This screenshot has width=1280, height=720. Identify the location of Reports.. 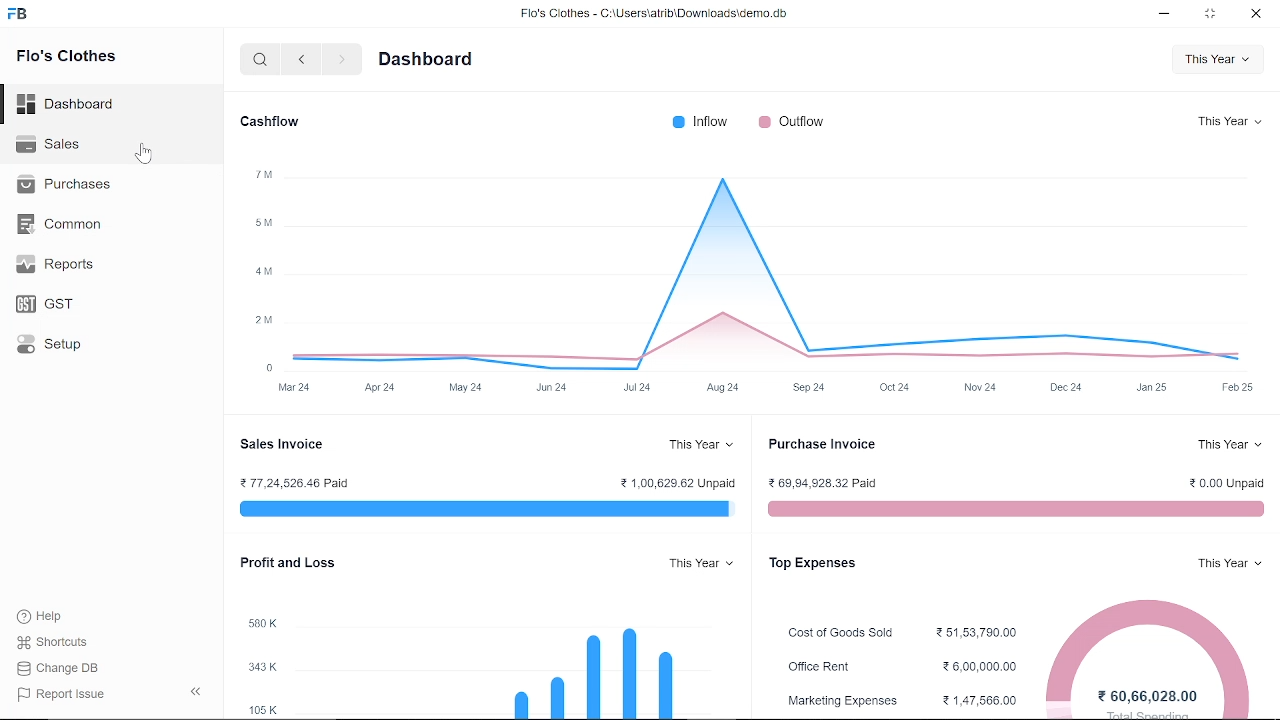
(61, 263).